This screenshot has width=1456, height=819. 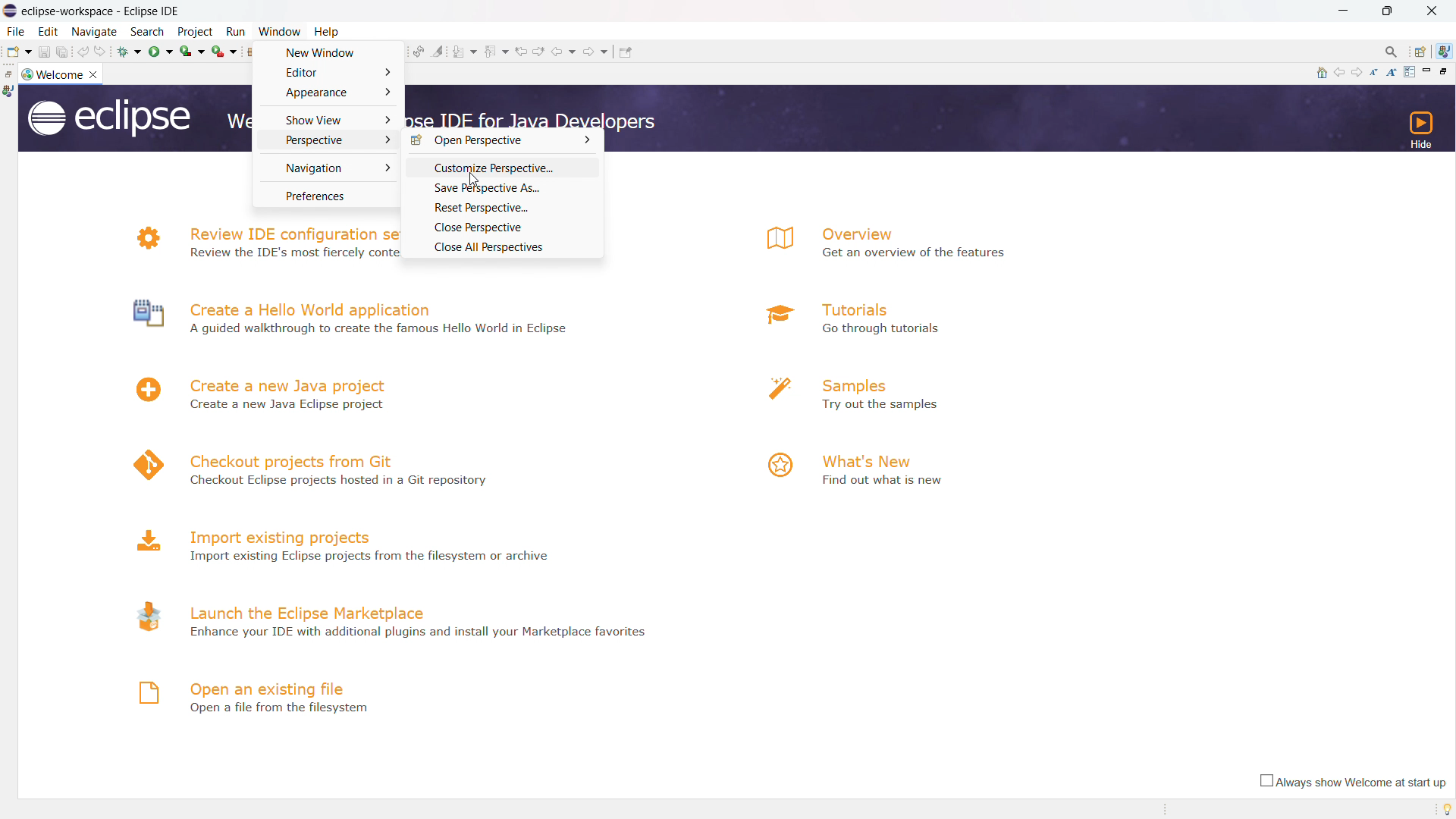 What do you see at coordinates (108, 118) in the screenshot?
I see `logo` at bounding box center [108, 118].